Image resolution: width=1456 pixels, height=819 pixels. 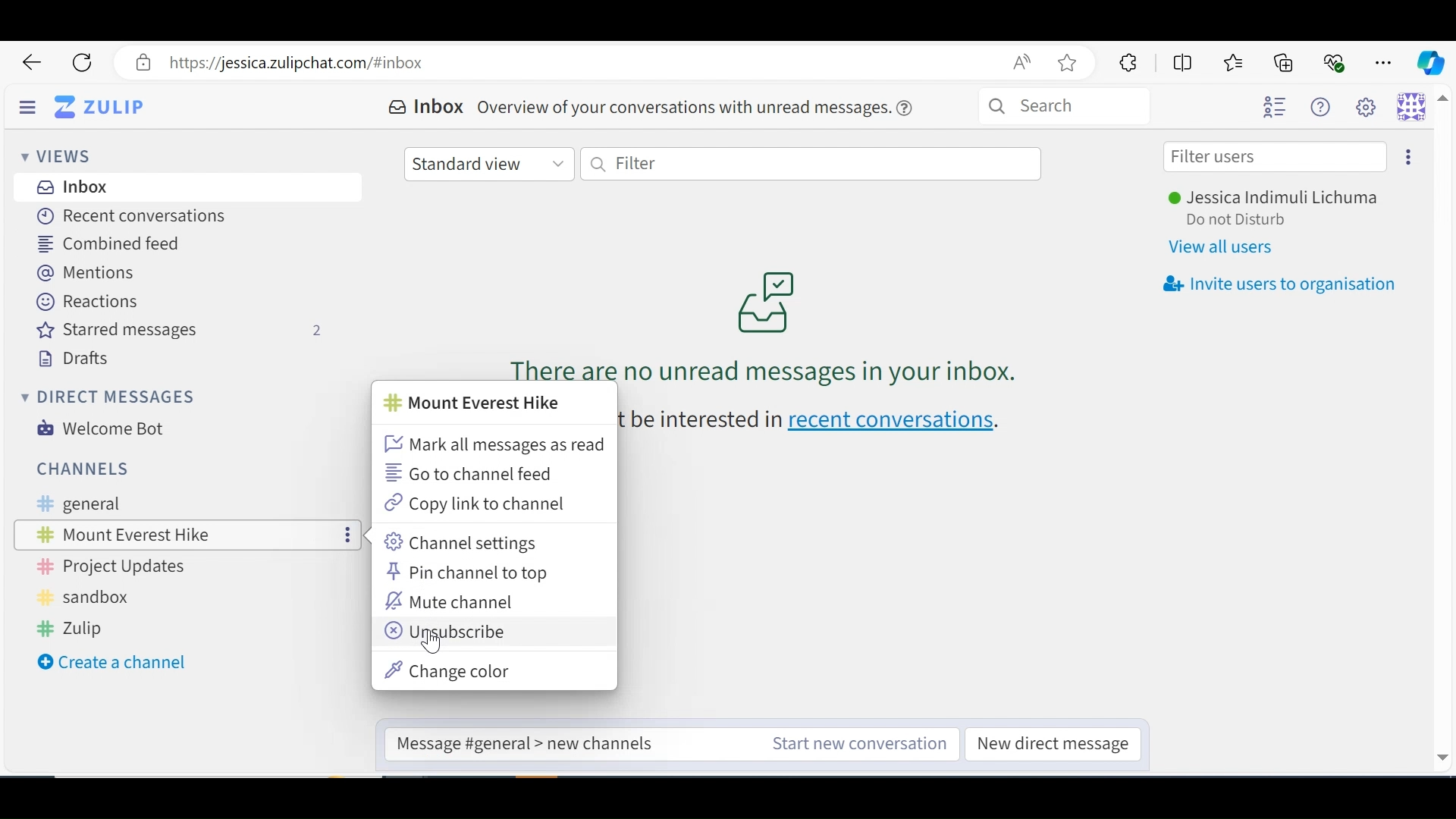 What do you see at coordinates (1090, 108) in the screenshot?
I see `Search` at bounding box center [1090, 108].